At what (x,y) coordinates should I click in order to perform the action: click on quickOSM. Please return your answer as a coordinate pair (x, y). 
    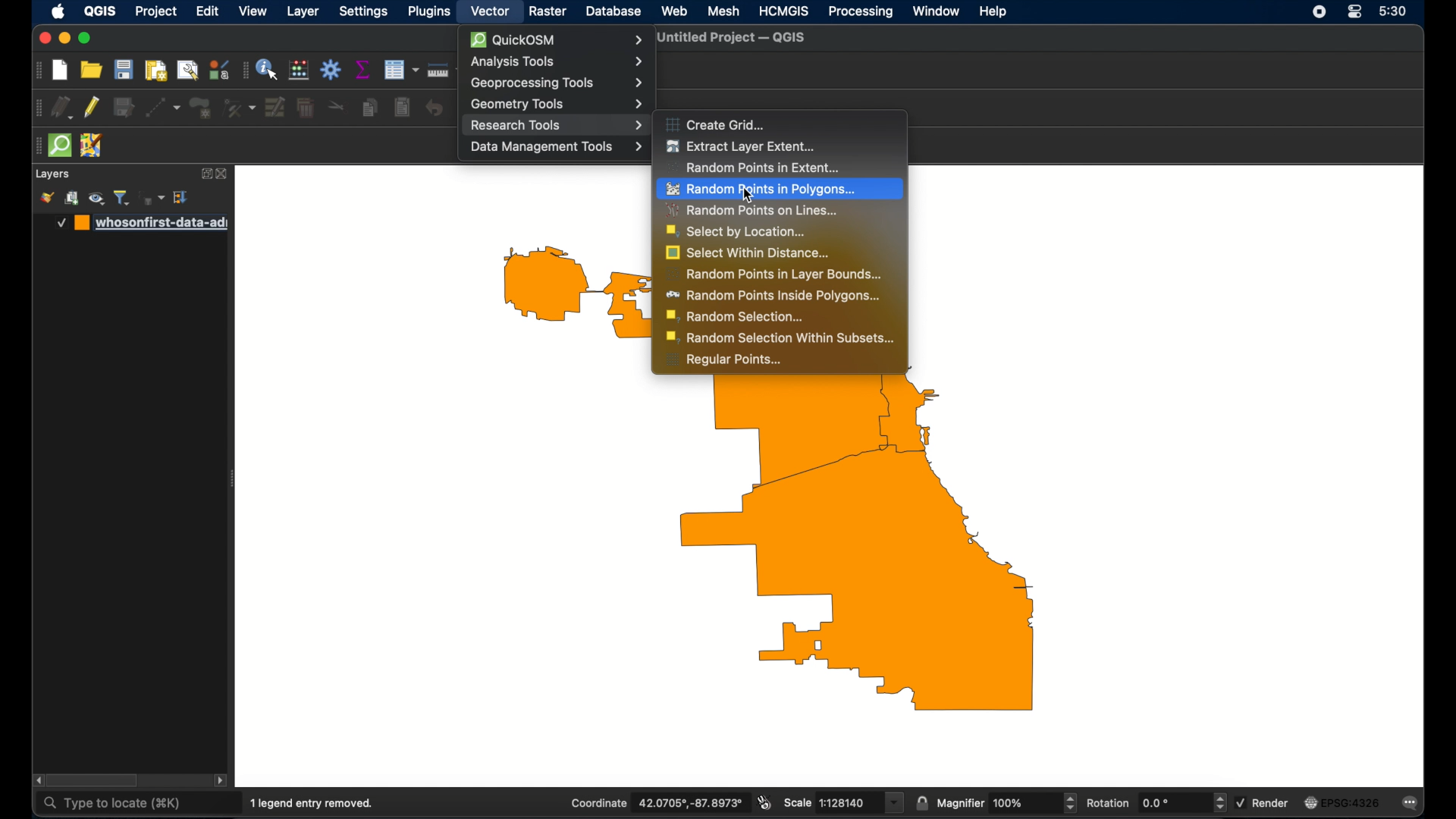
    Looking at the image, I should click on (557, 40).